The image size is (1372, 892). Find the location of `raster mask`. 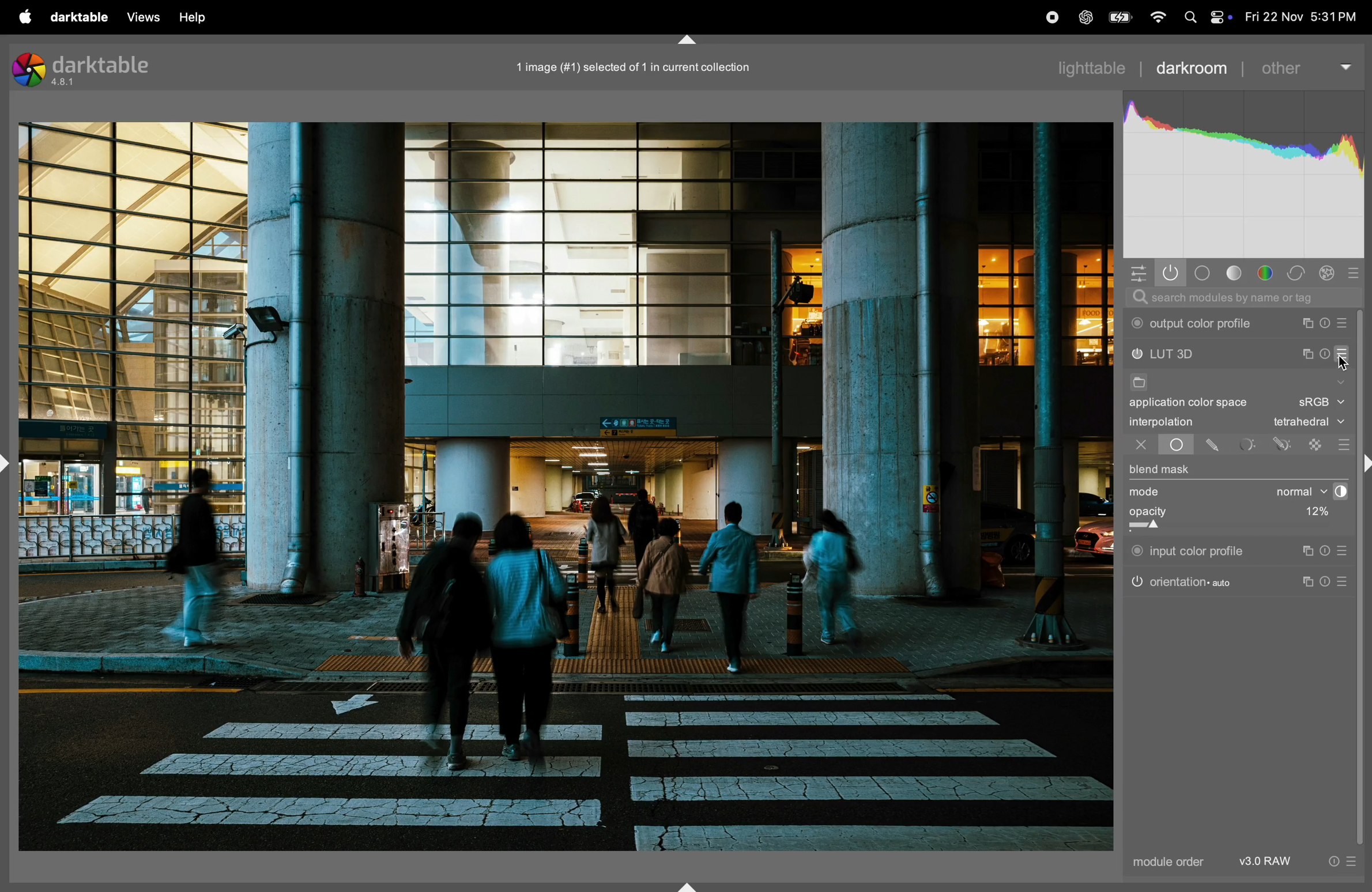

raster mask is located at coordinates (1317, 444).